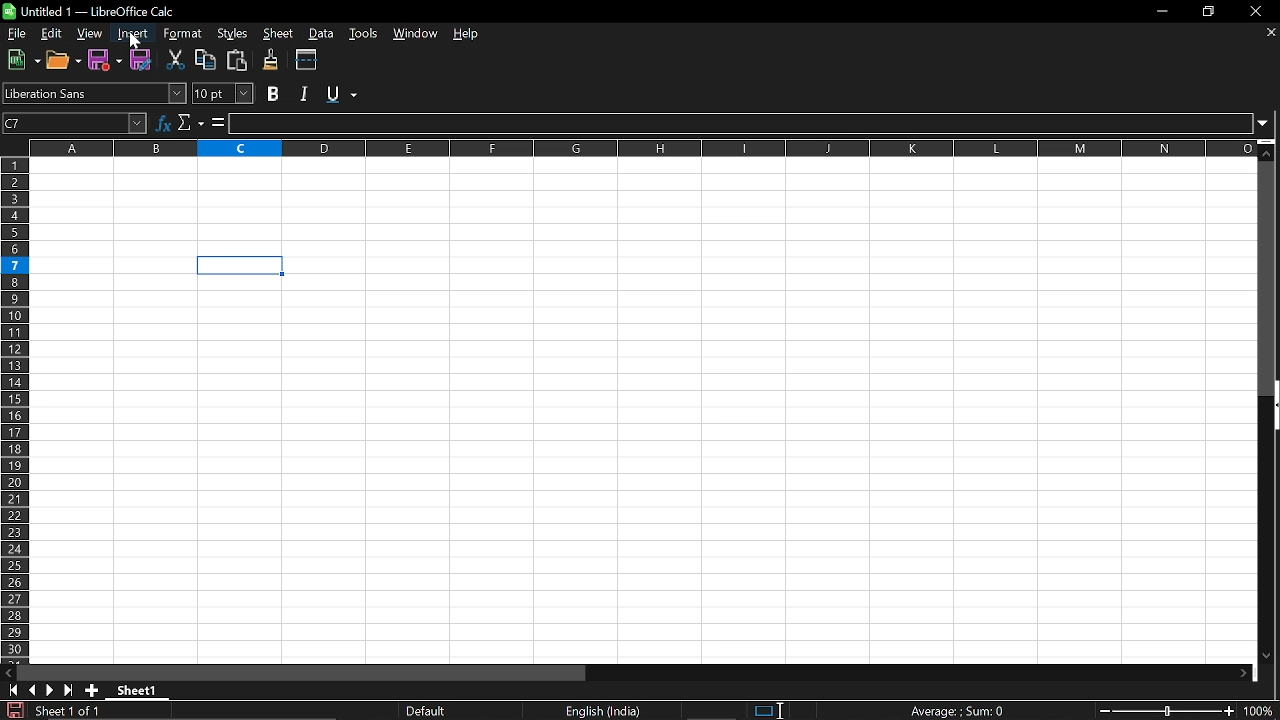  Describe the element at coordinates (307, 94) in the screenshot. I see `Italic` at that location.